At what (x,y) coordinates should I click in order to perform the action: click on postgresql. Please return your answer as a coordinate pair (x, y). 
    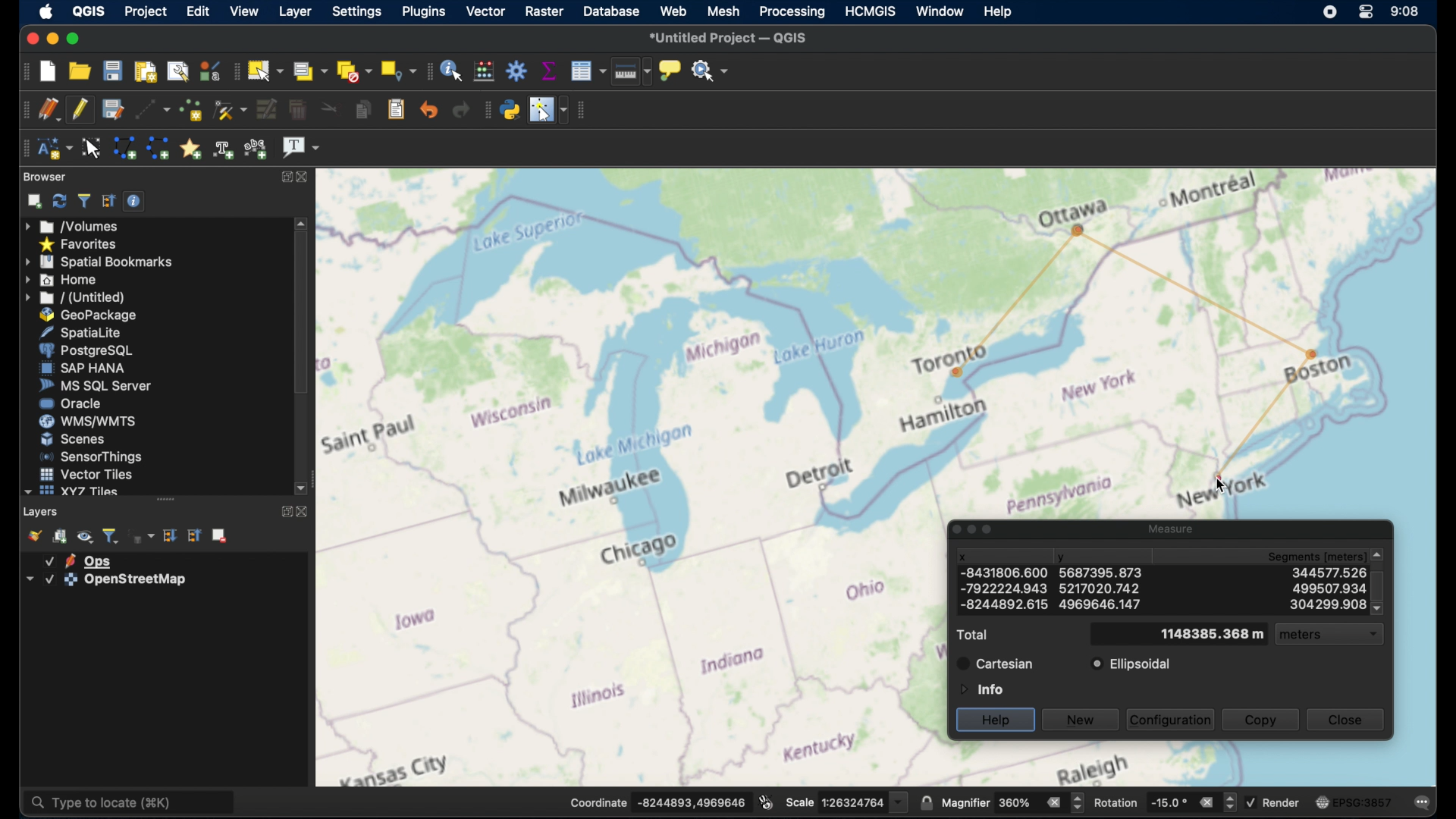
    Looking at the image, I should click on (92, 350).